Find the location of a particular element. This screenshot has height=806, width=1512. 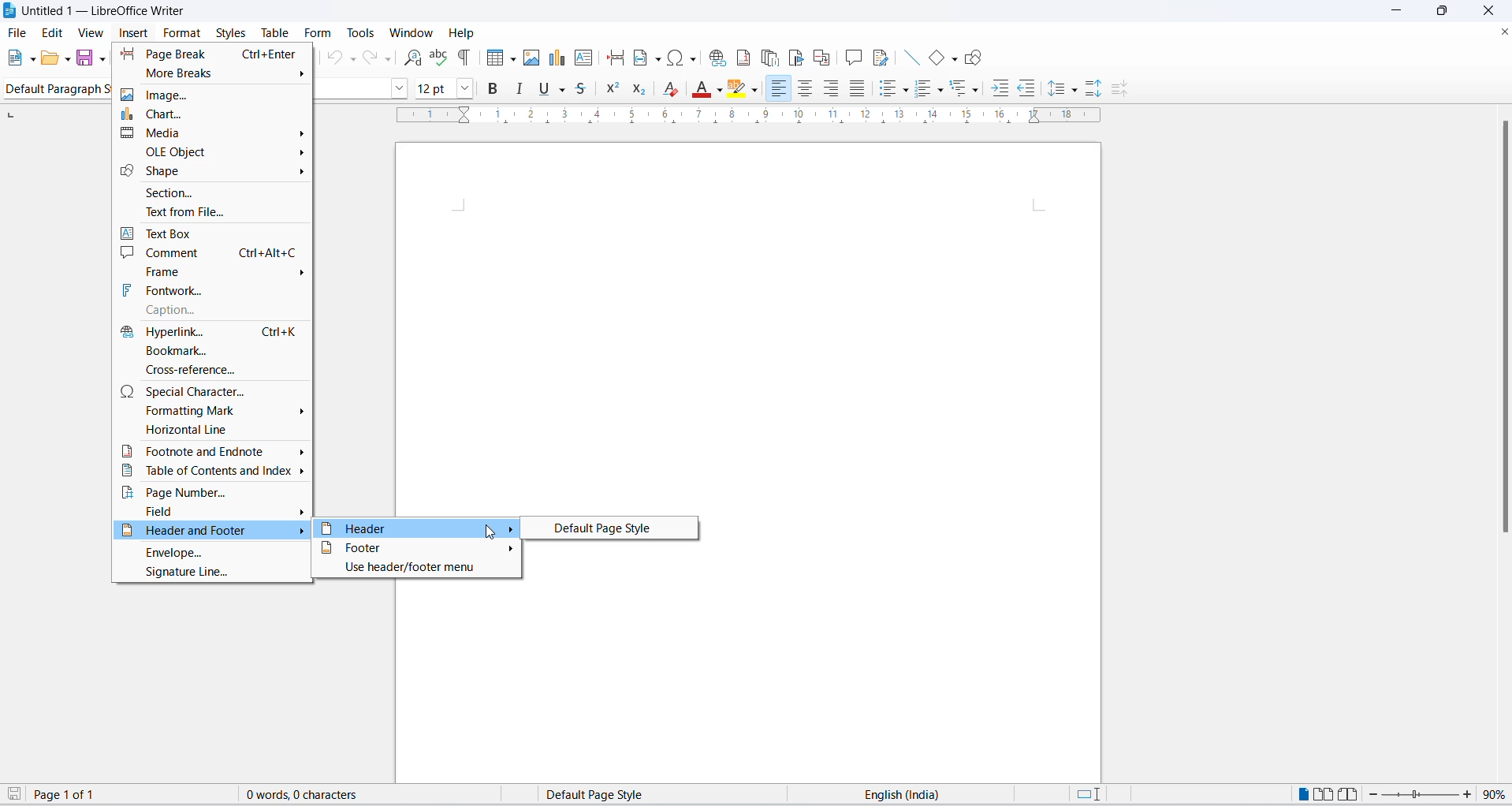

header and footer is located at coordinates (212, 532).